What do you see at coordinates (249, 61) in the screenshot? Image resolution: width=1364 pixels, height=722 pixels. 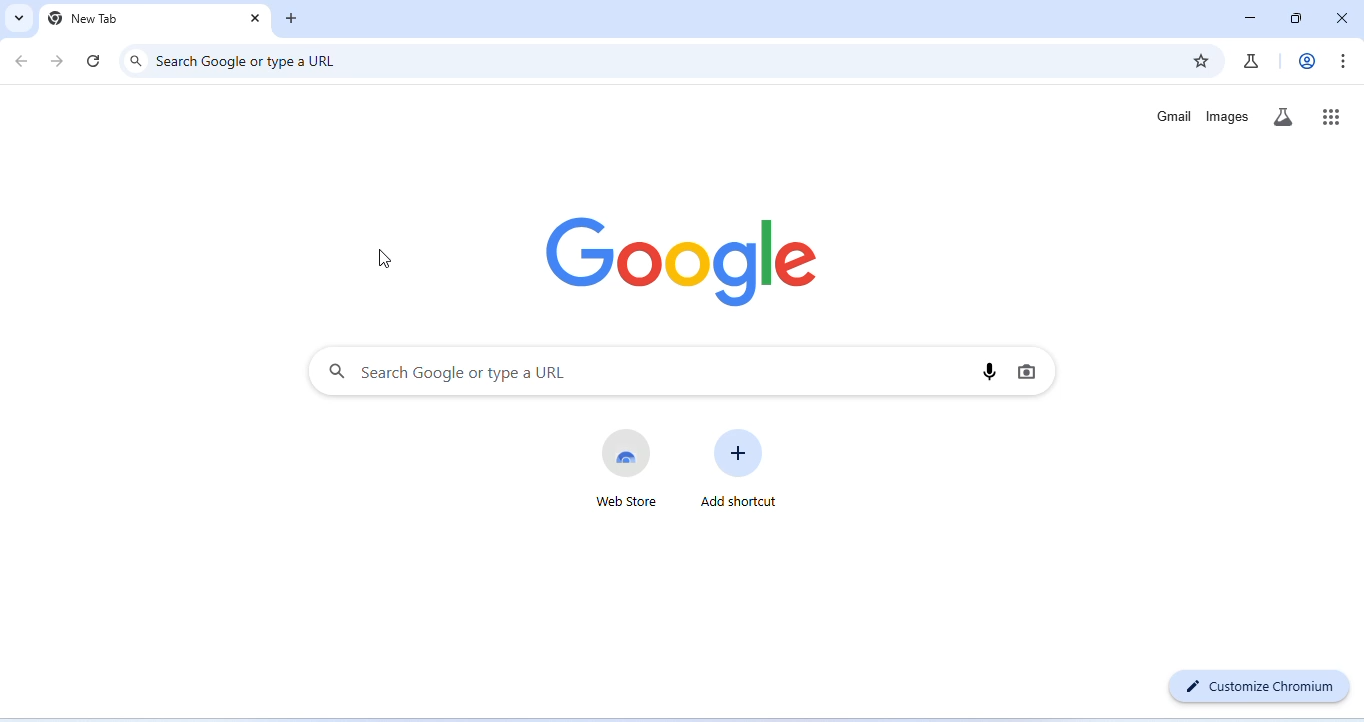 I see `search google or type a URL` at bounding box center [249, 61].